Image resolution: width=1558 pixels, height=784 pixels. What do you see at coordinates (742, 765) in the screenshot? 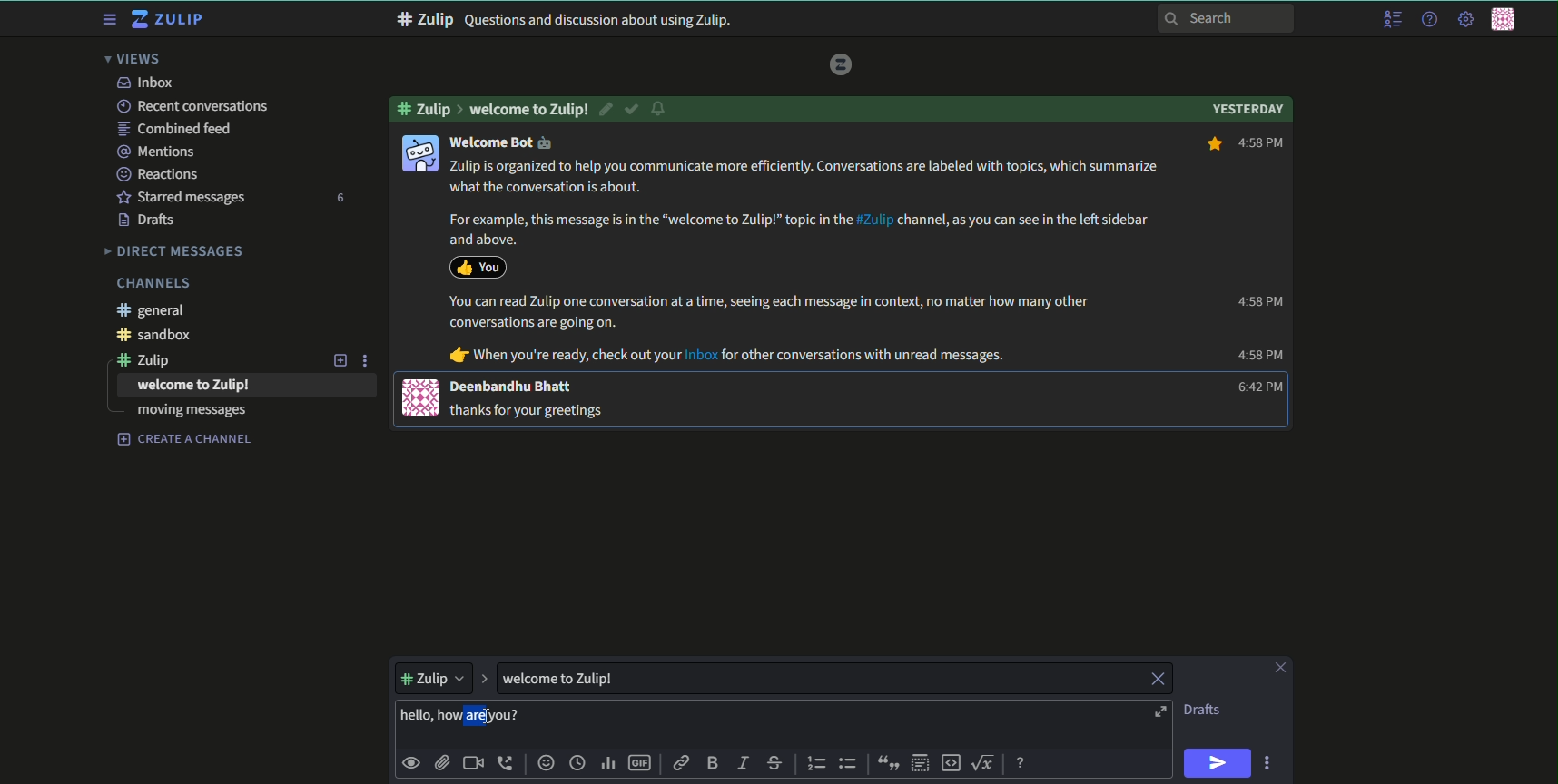
I see `italic` at bounding box center [742, 765].